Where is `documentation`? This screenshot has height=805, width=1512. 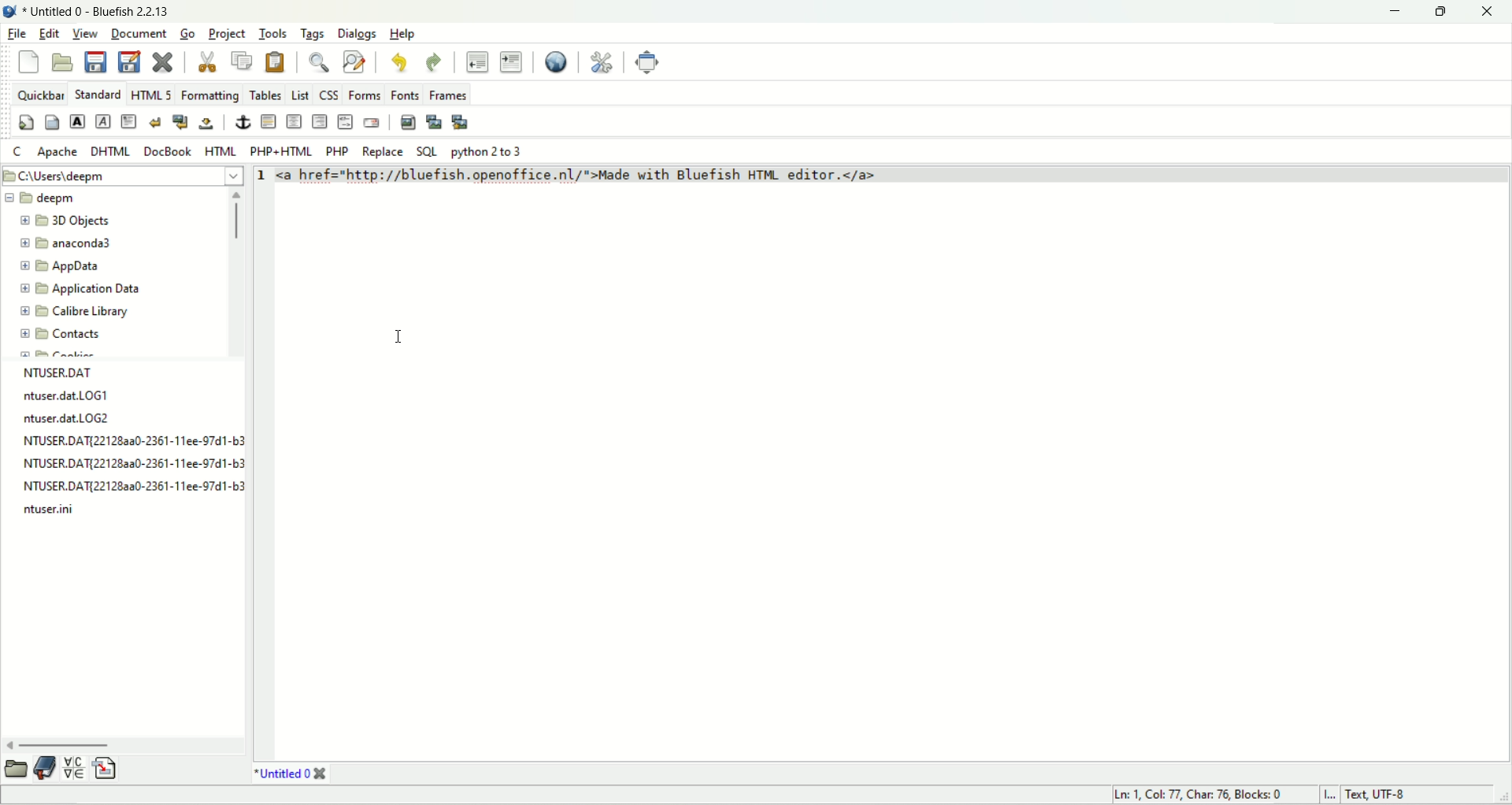 documentation is located at coordinates (46, 770).